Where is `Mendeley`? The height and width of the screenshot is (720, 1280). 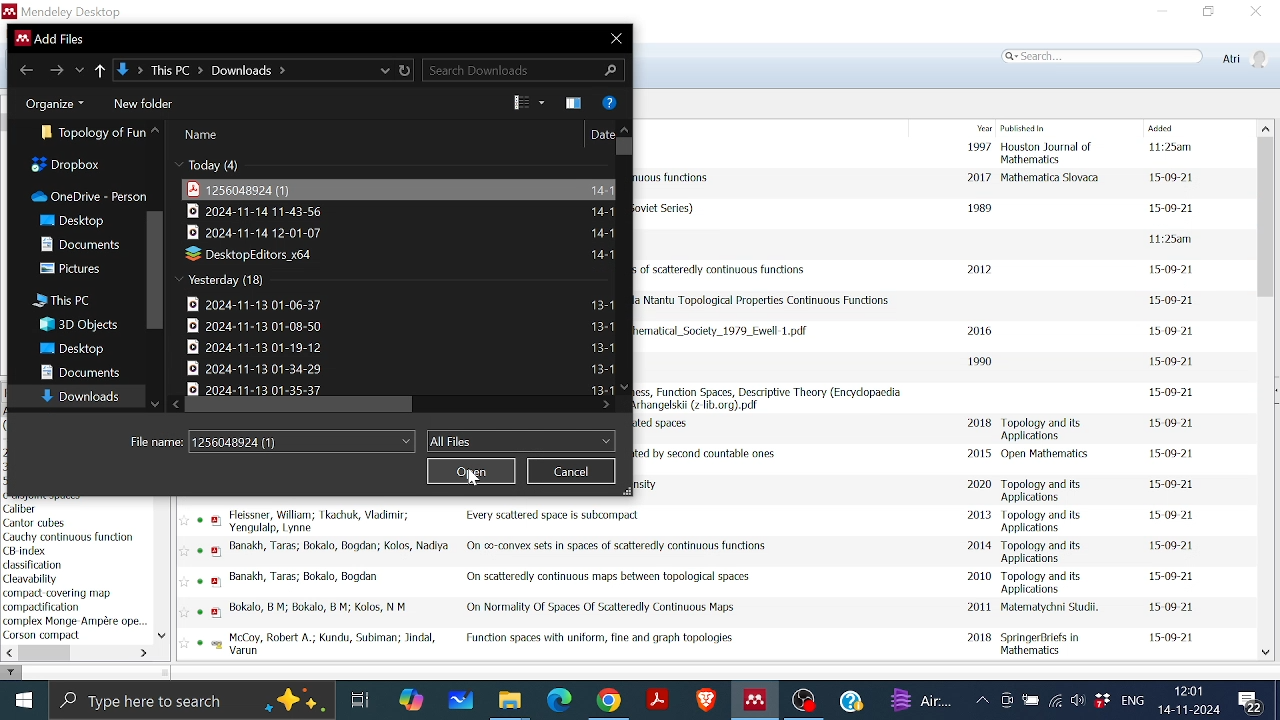
Mendeley is located at coordinates (757, 701).